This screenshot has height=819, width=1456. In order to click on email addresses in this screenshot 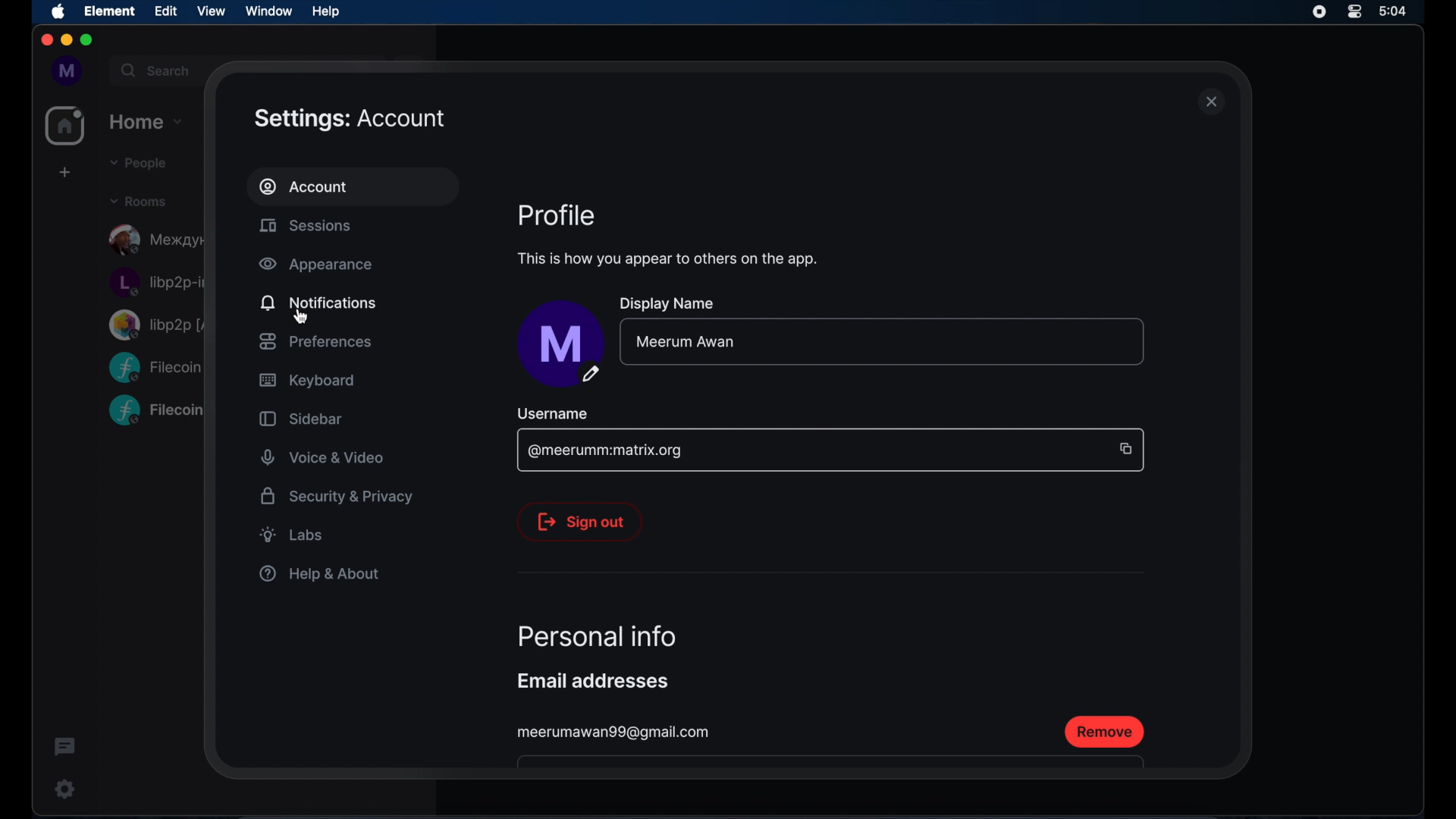, I will do `click(593, 681)`.